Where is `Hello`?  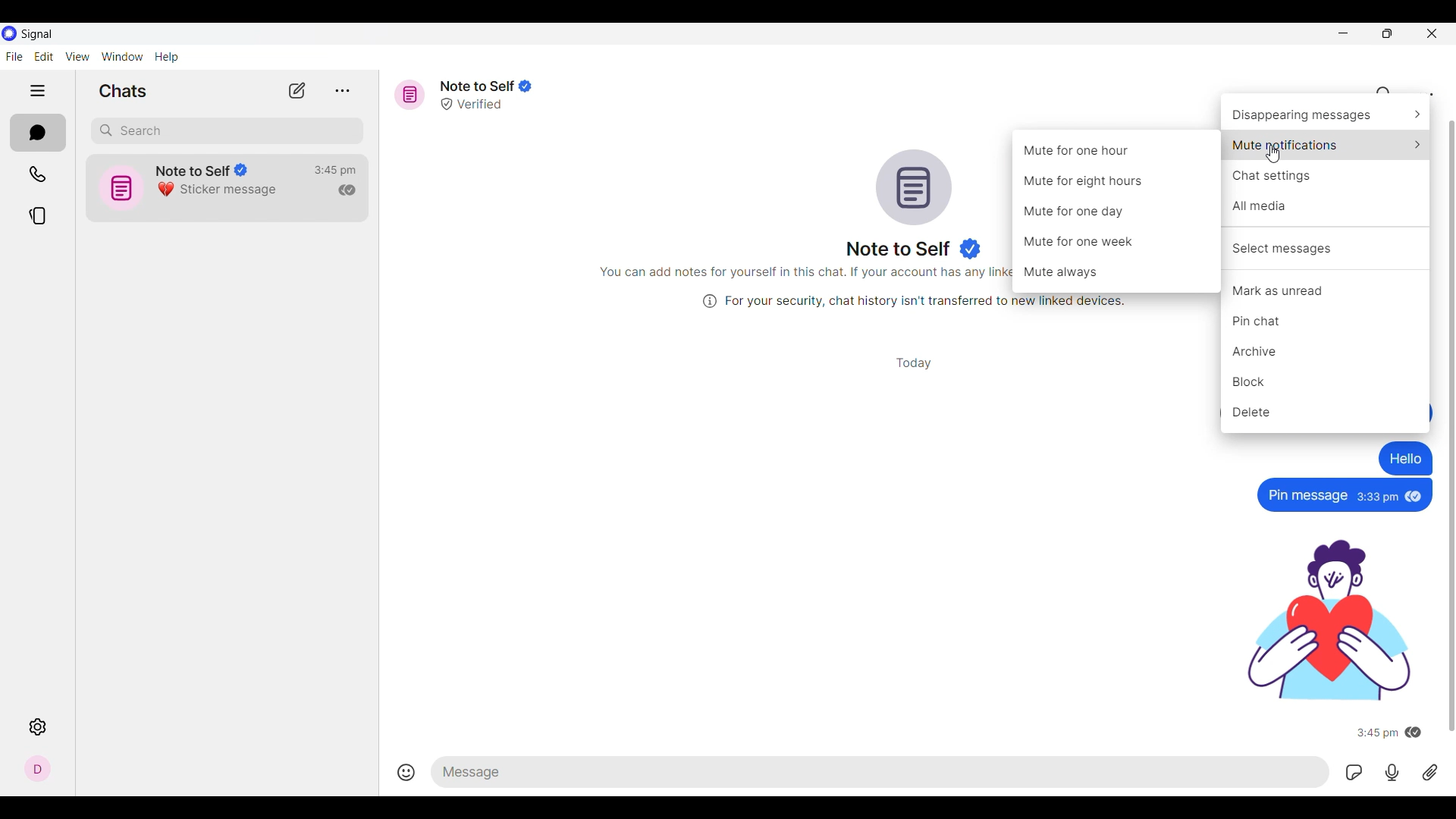 Hello is located at coordinates (1407, 458).